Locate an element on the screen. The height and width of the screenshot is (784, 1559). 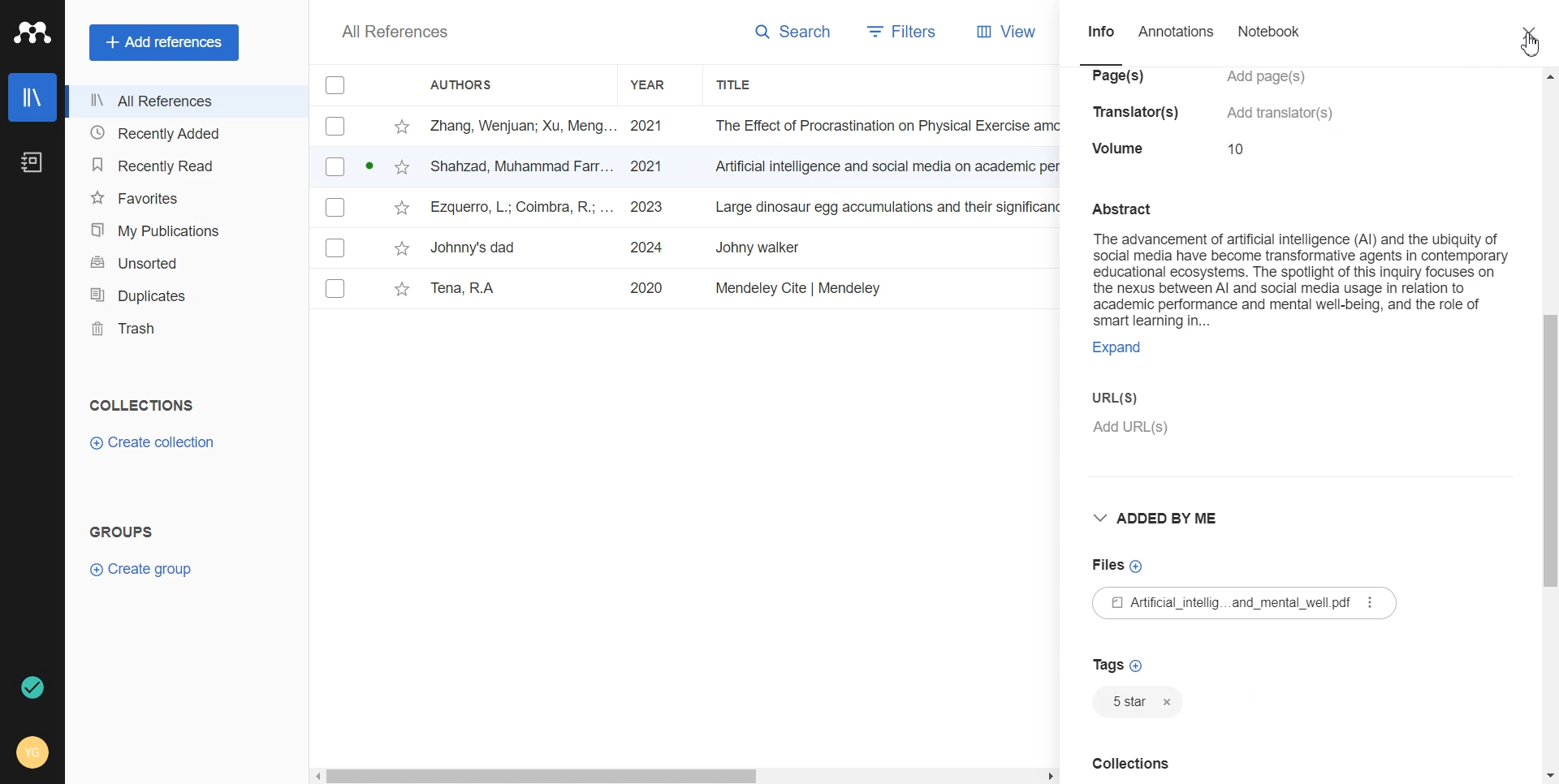
Year is located at coordinates (661, 85).